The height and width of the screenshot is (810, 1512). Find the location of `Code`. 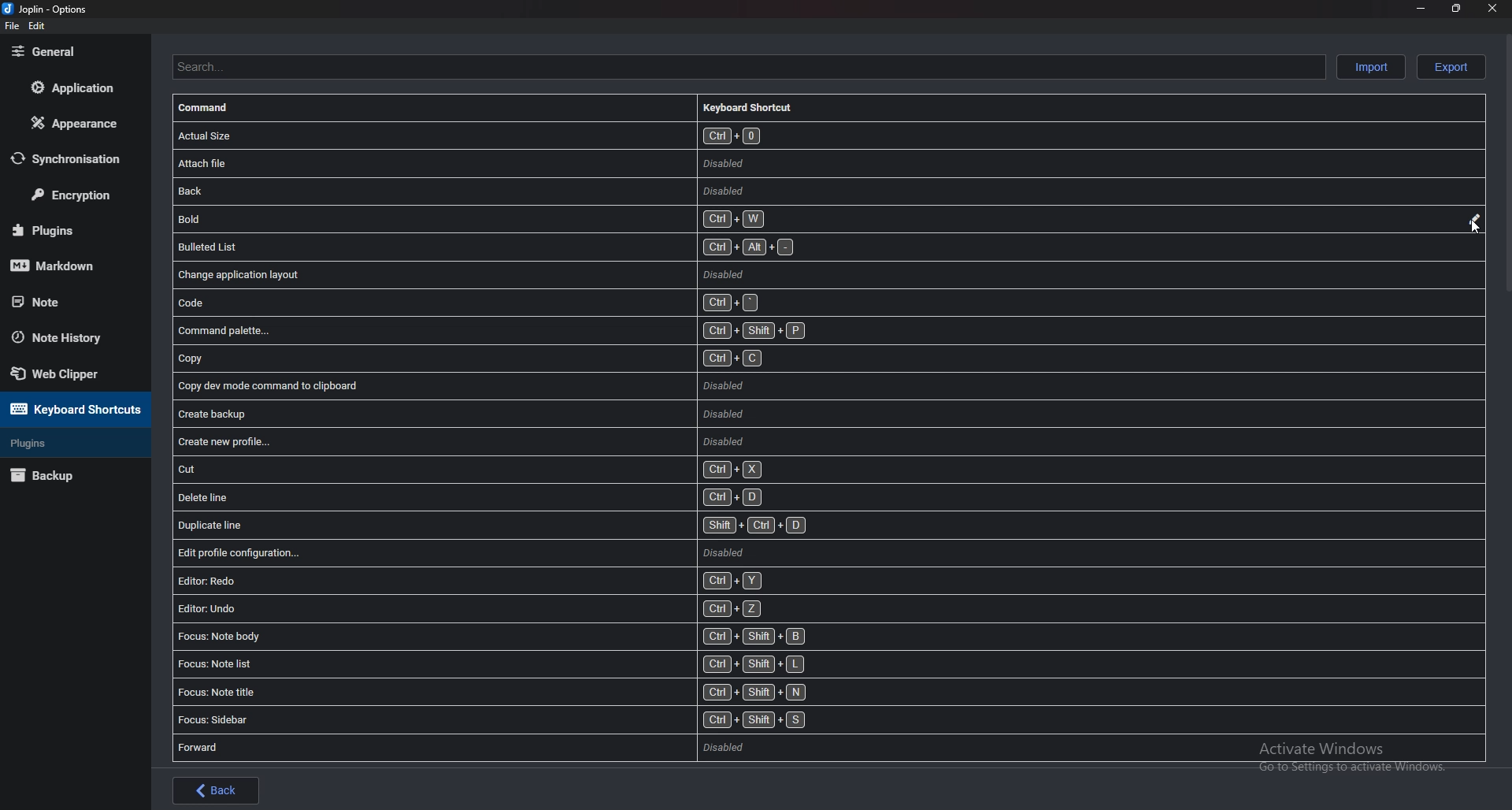

Code is located at coordinates (562, 303).